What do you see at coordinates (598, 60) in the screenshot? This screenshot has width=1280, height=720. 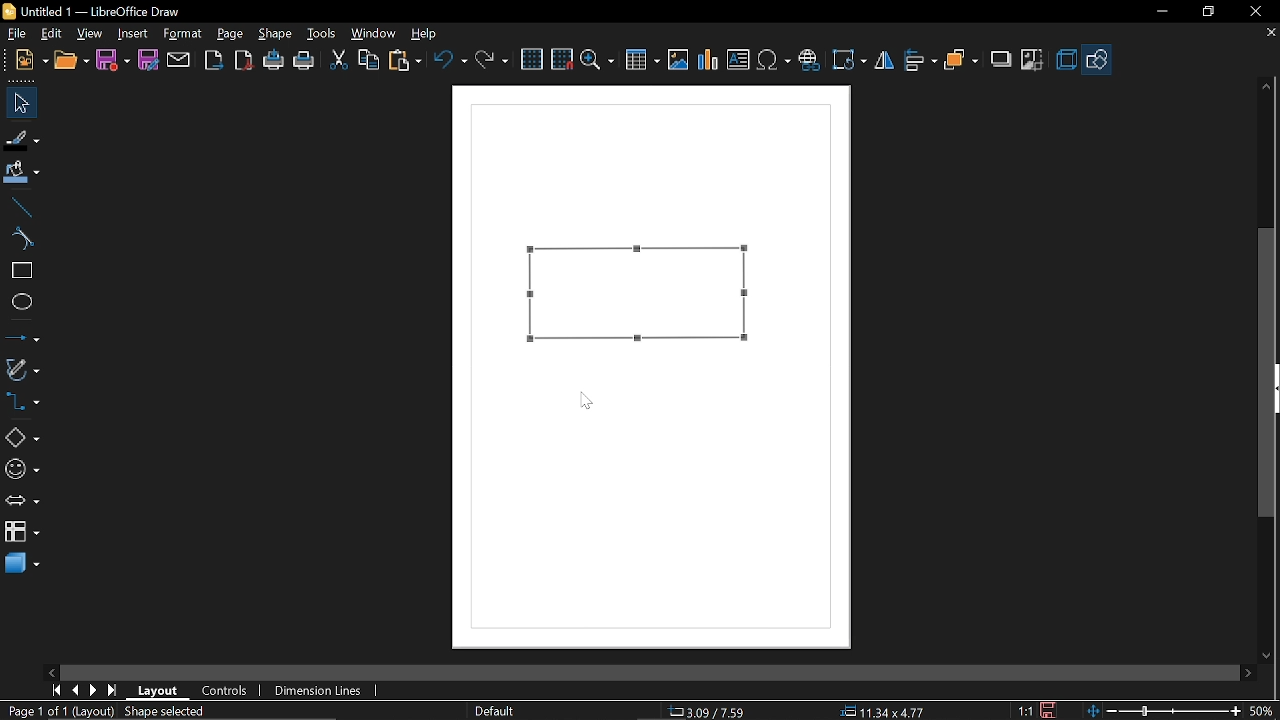 I see `zoom` at bounding box center [598, 60].